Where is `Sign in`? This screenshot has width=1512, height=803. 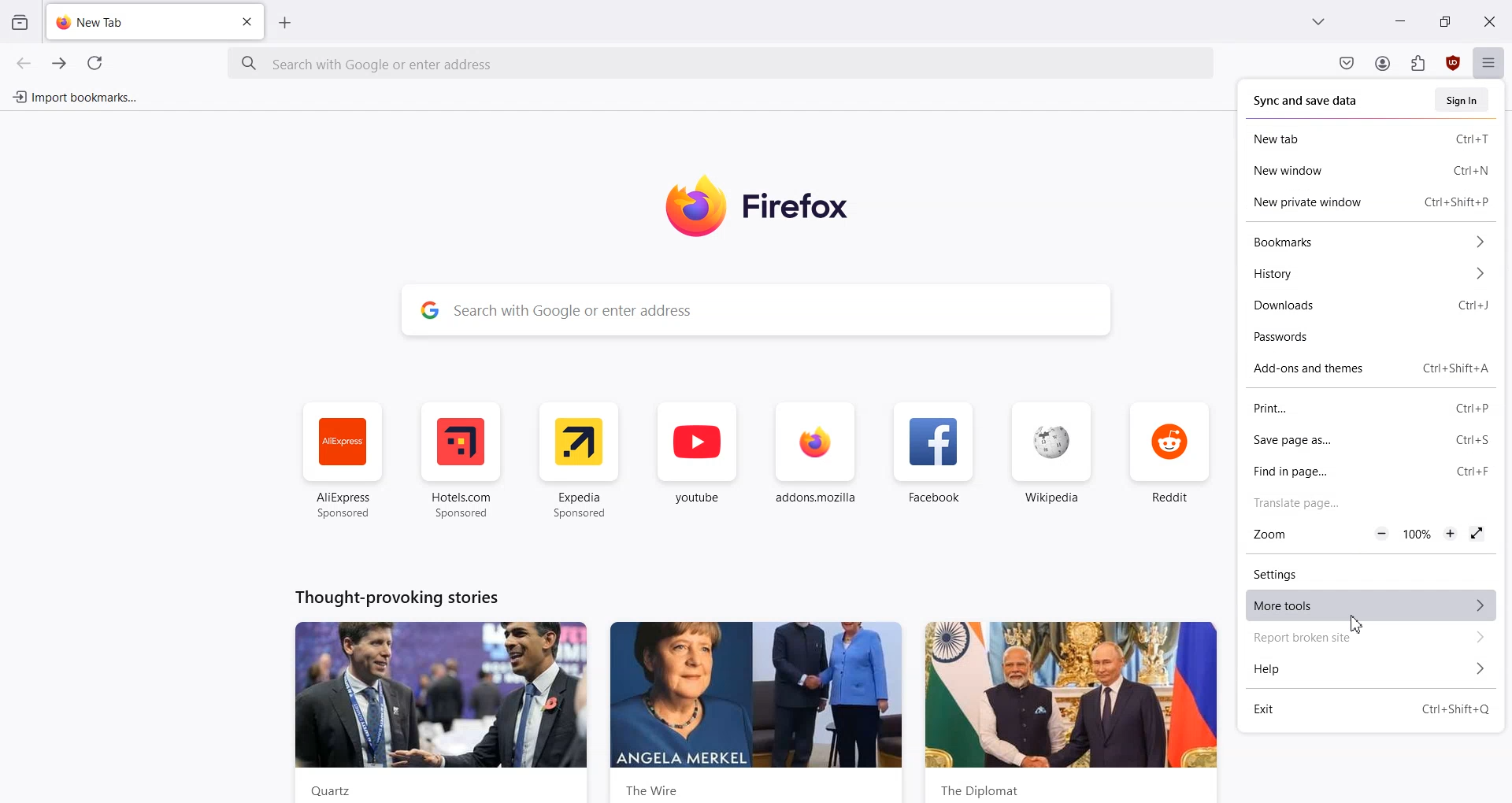
Sign in is located at coordinates (1462, 99).